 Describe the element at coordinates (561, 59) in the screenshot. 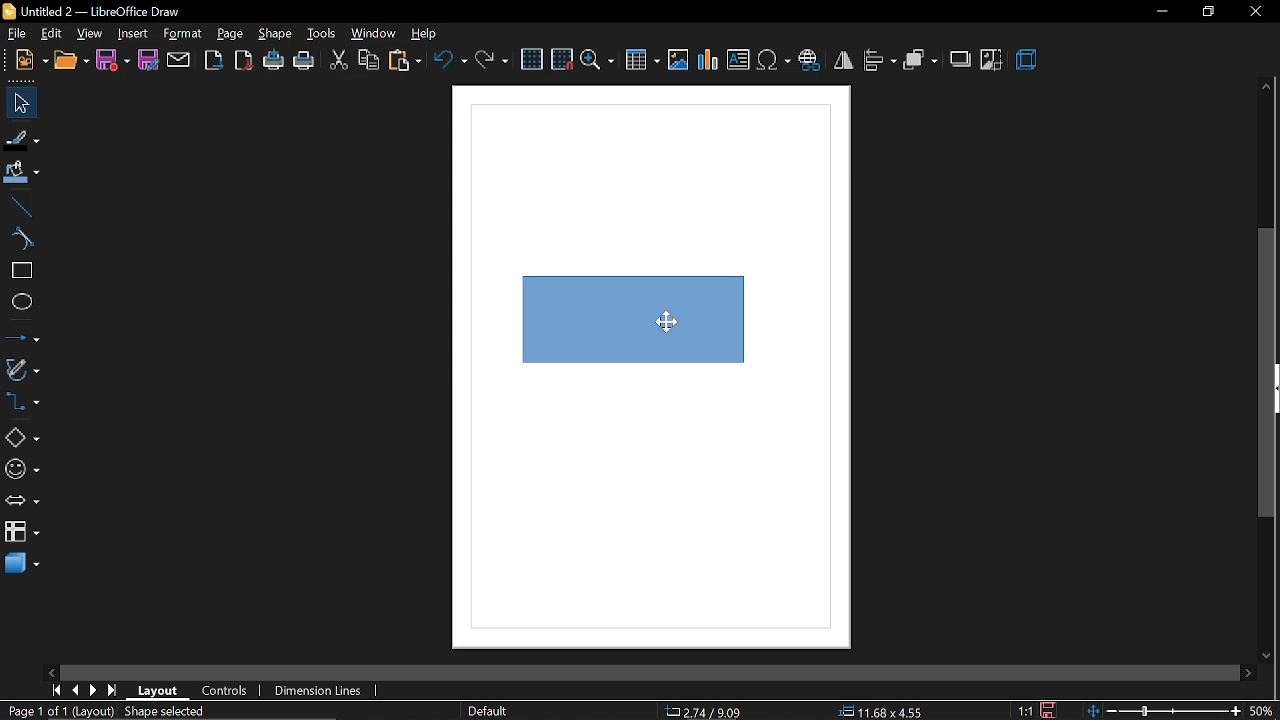

I see `snap to grid` at that location.